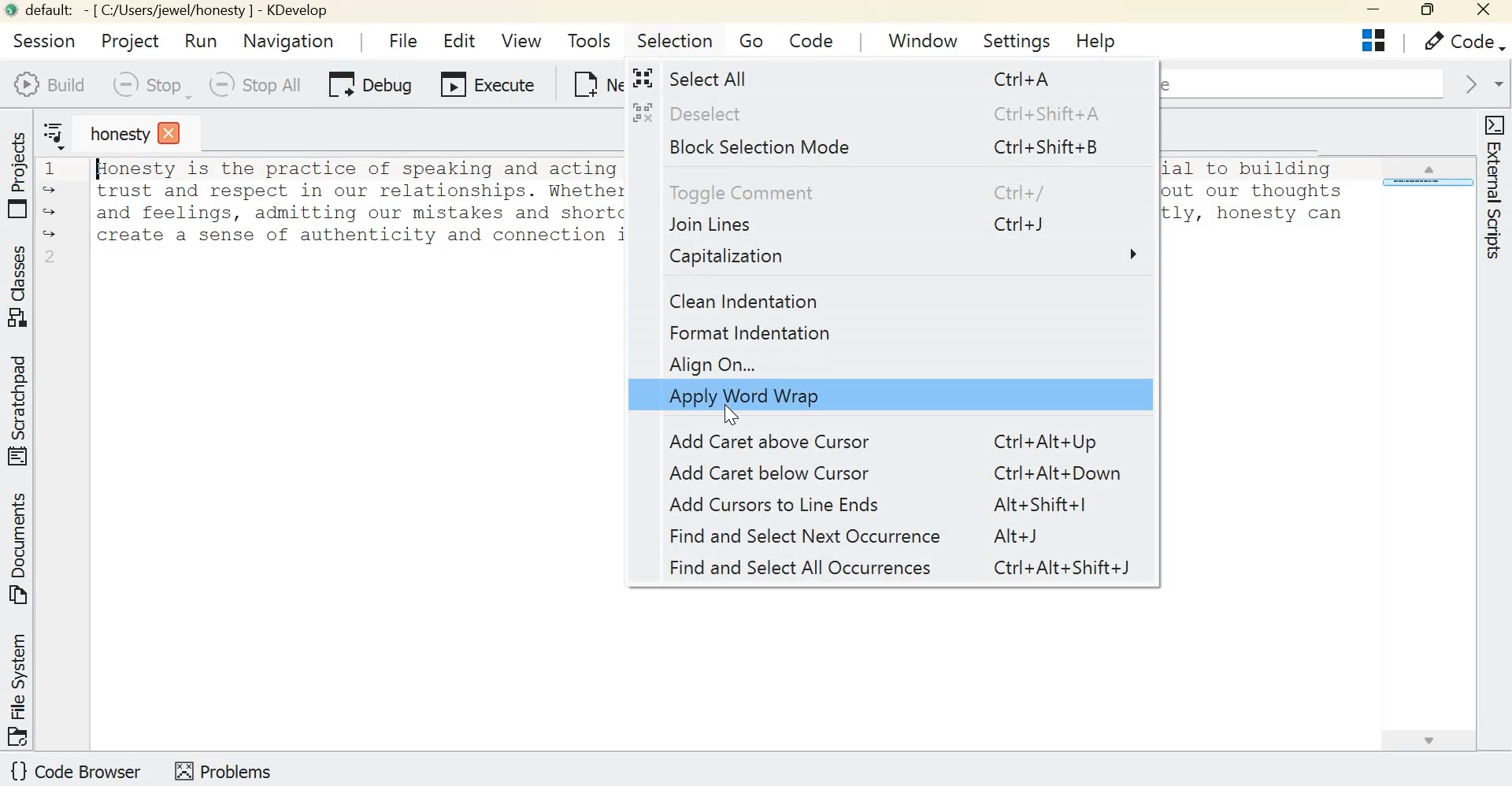 Image resolution: width=1512 pixels, height=786 pixels. I want to click on Window, so click(928, 39).